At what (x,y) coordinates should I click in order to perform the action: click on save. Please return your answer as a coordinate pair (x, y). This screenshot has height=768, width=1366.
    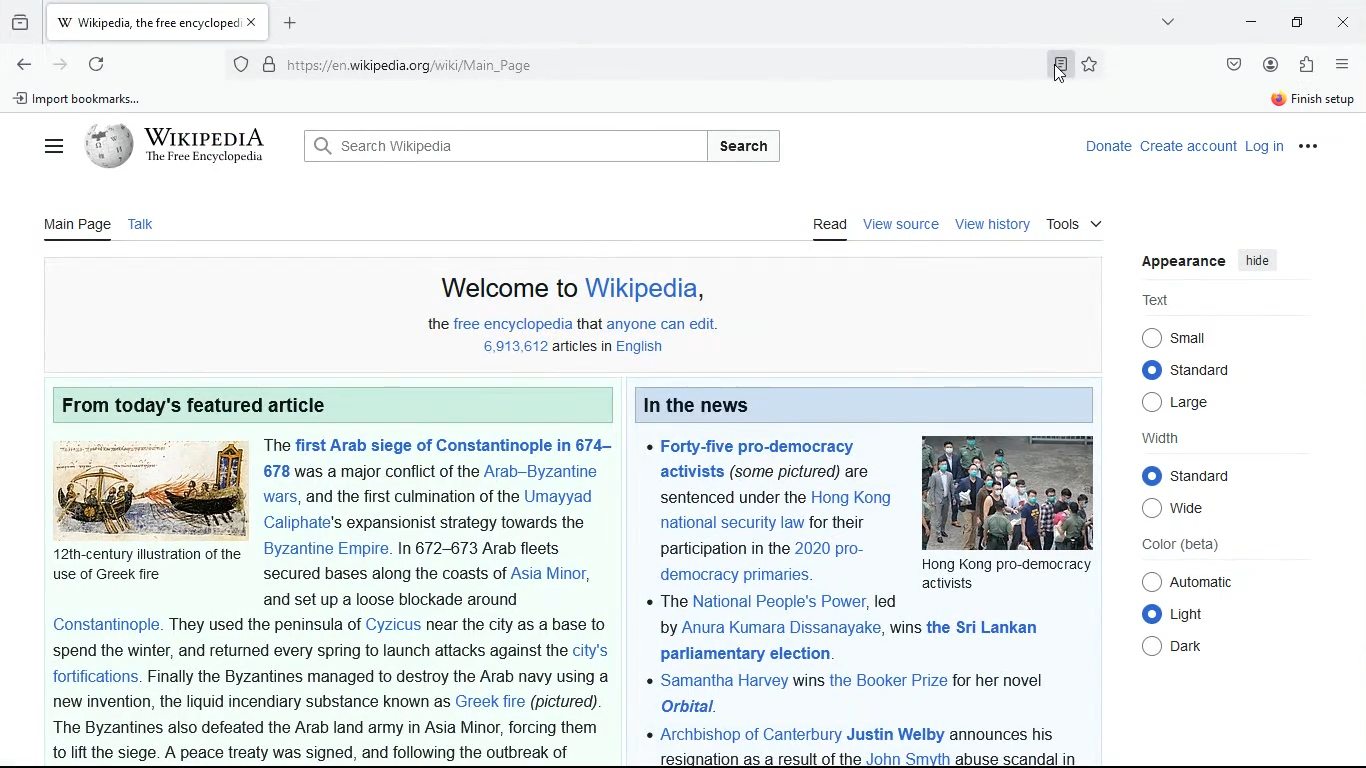
    Looking at the image, I should click on (1233, 64).